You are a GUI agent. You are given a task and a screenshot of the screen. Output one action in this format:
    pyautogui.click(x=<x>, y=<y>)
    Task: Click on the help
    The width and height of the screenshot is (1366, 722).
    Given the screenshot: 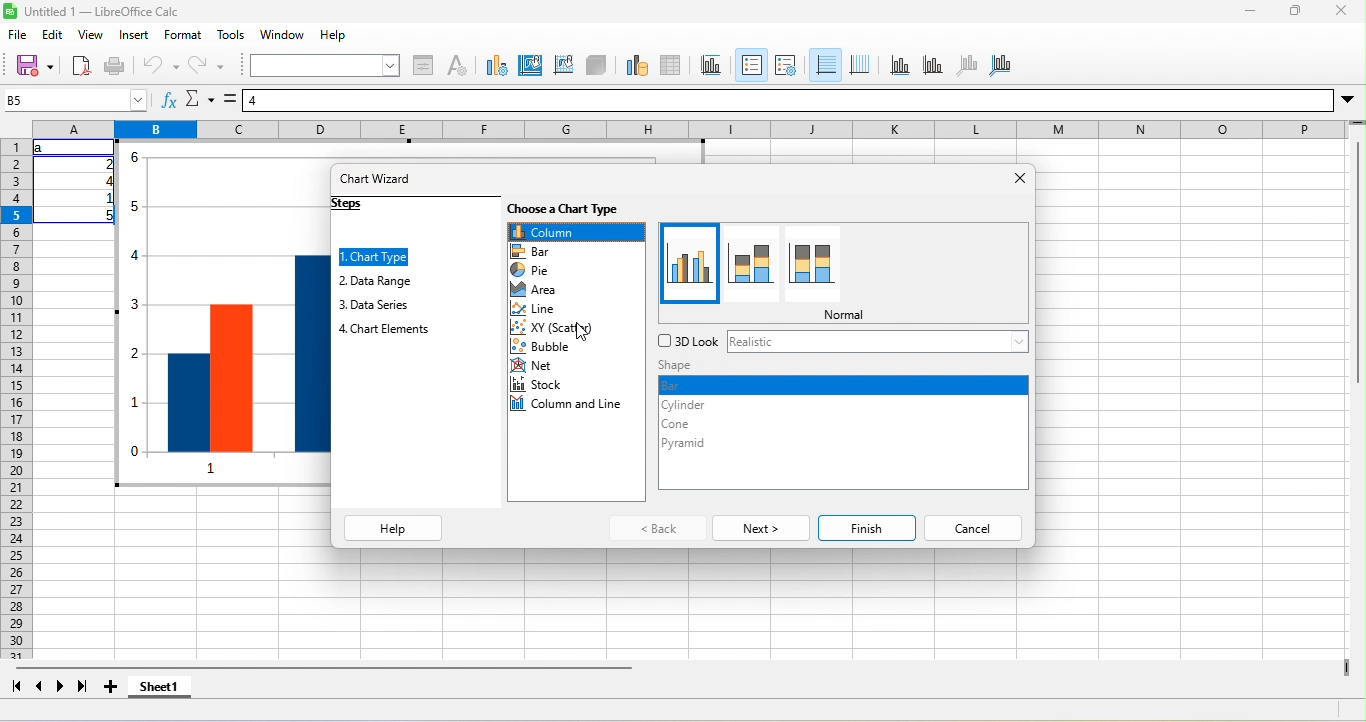 What is the action you would take?
    pyautogui.click(x=333, y=35)
    